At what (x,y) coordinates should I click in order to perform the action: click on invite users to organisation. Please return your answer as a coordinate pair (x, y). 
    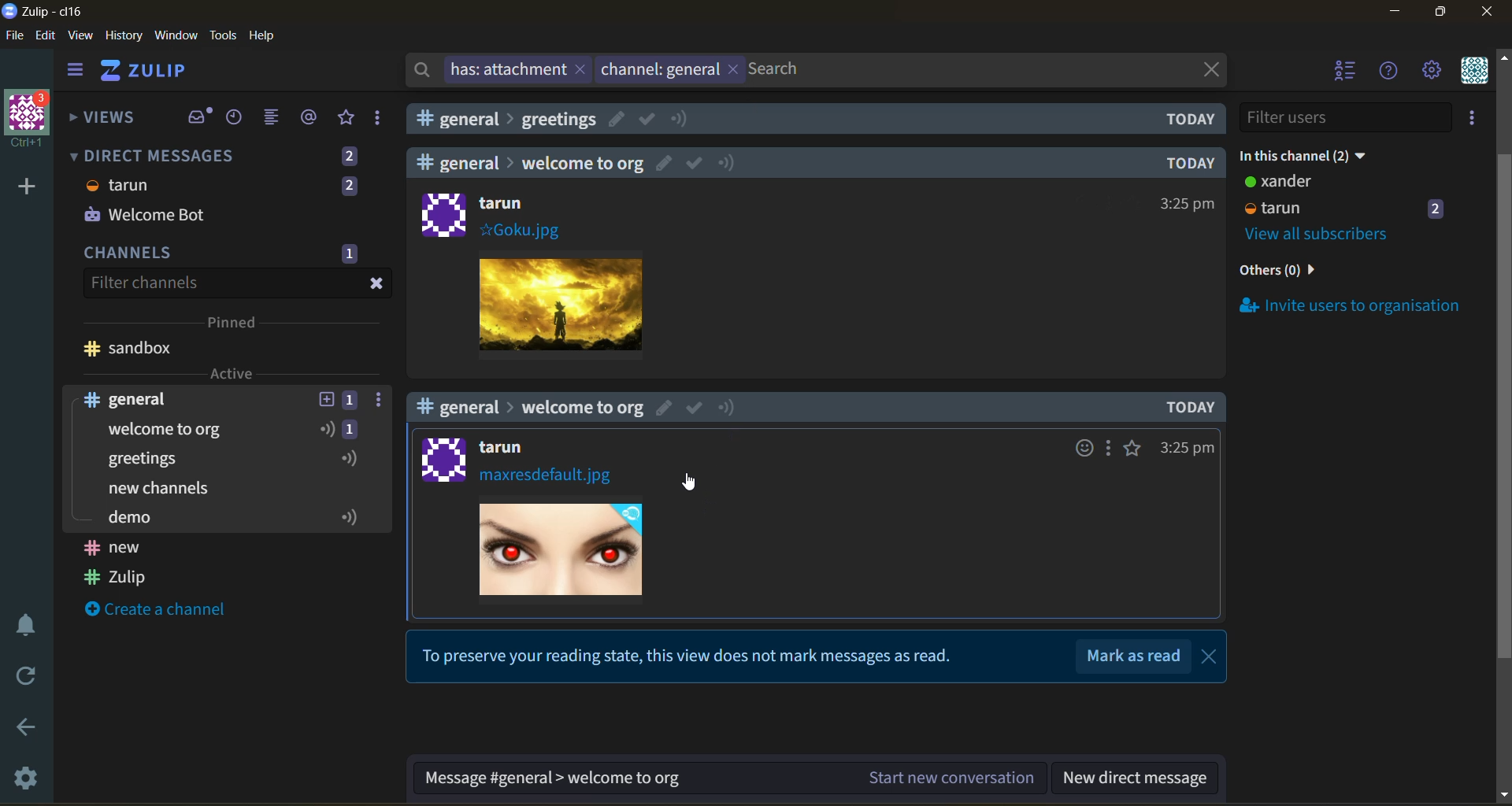
    Looking at the image, I should click on (1343, 243).